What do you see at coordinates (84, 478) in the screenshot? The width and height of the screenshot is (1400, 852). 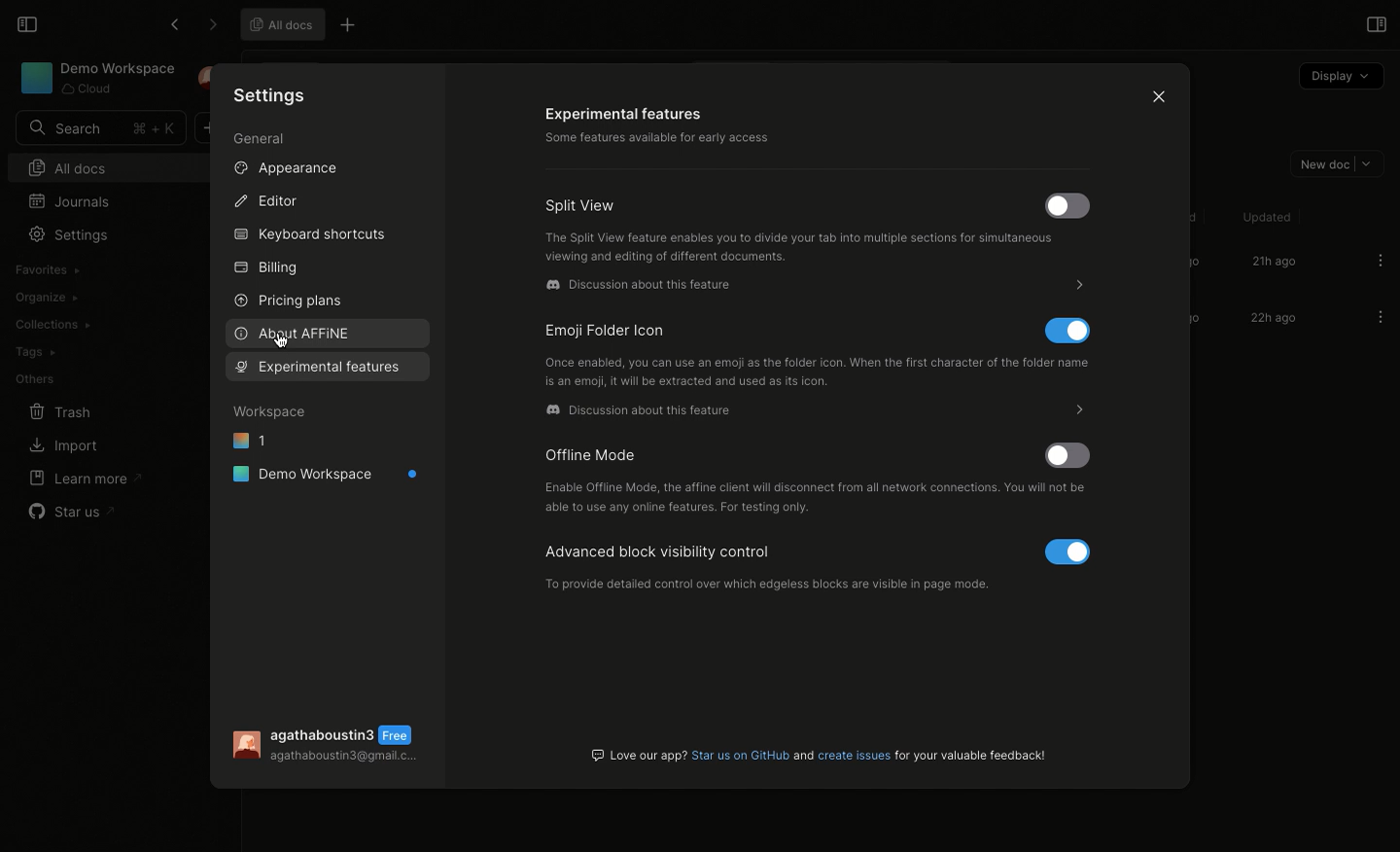 I see `Learn more` at bounding box center [84, 478].